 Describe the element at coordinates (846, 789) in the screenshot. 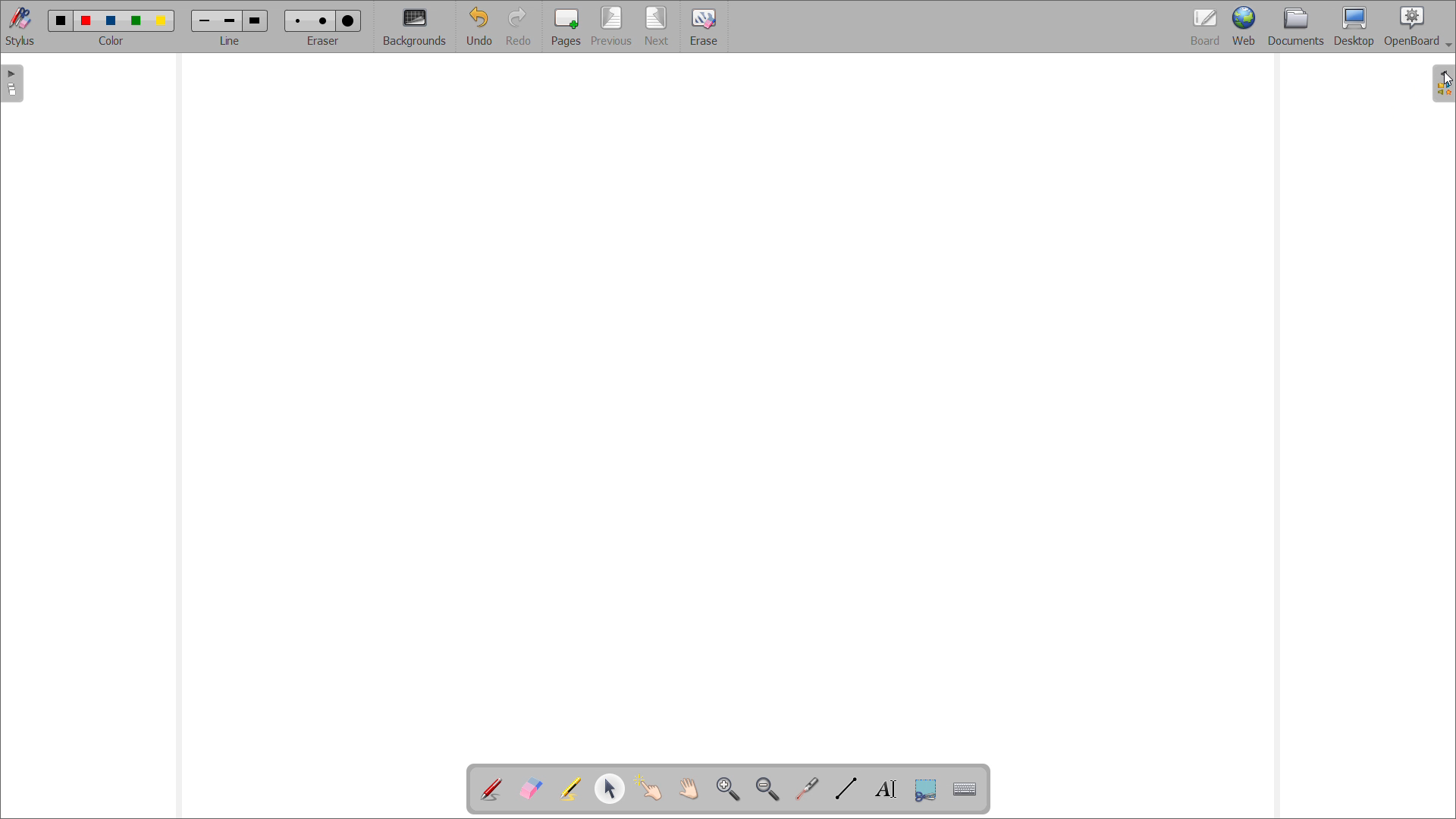

I see `draw lines` at that location.